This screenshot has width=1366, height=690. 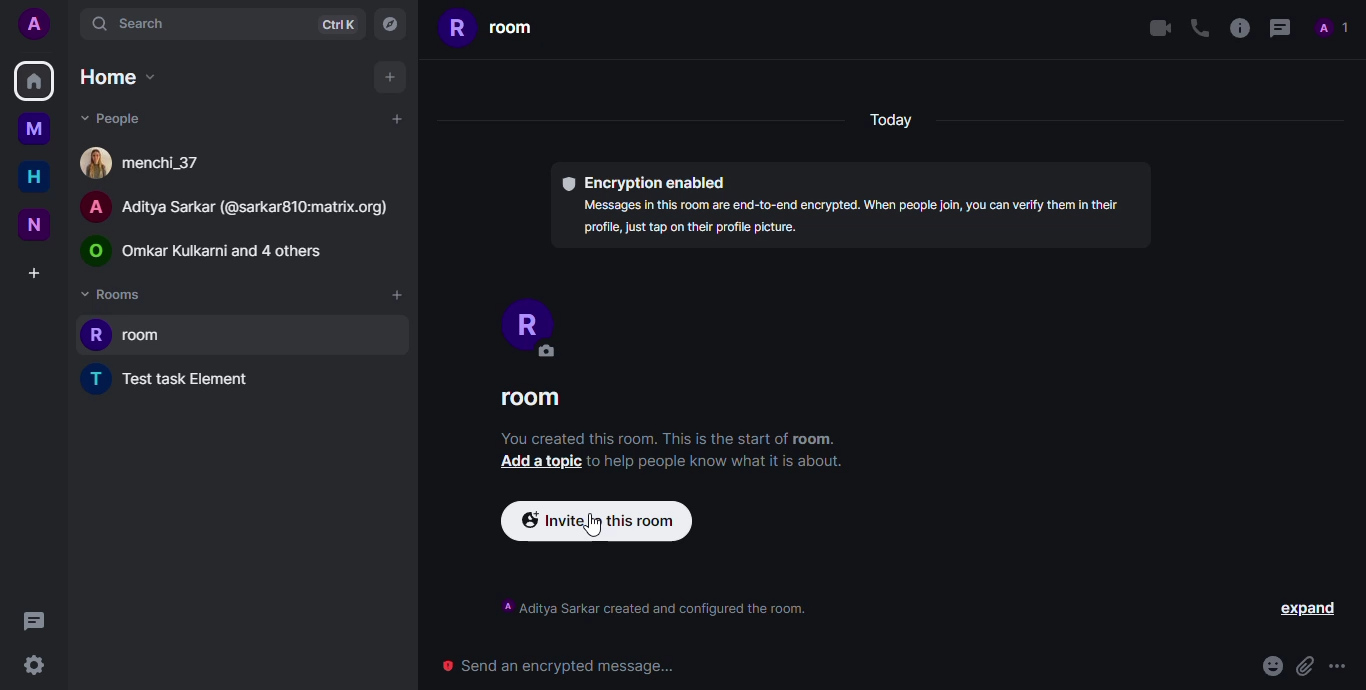 What do you see at coordinates (848, 218) in the screenshot?
I see `Messages in this room are ed-to-end encrypted. When people join, you can verify them in their profile, just tap on their profile picture.` at bounding box center [848, 218].